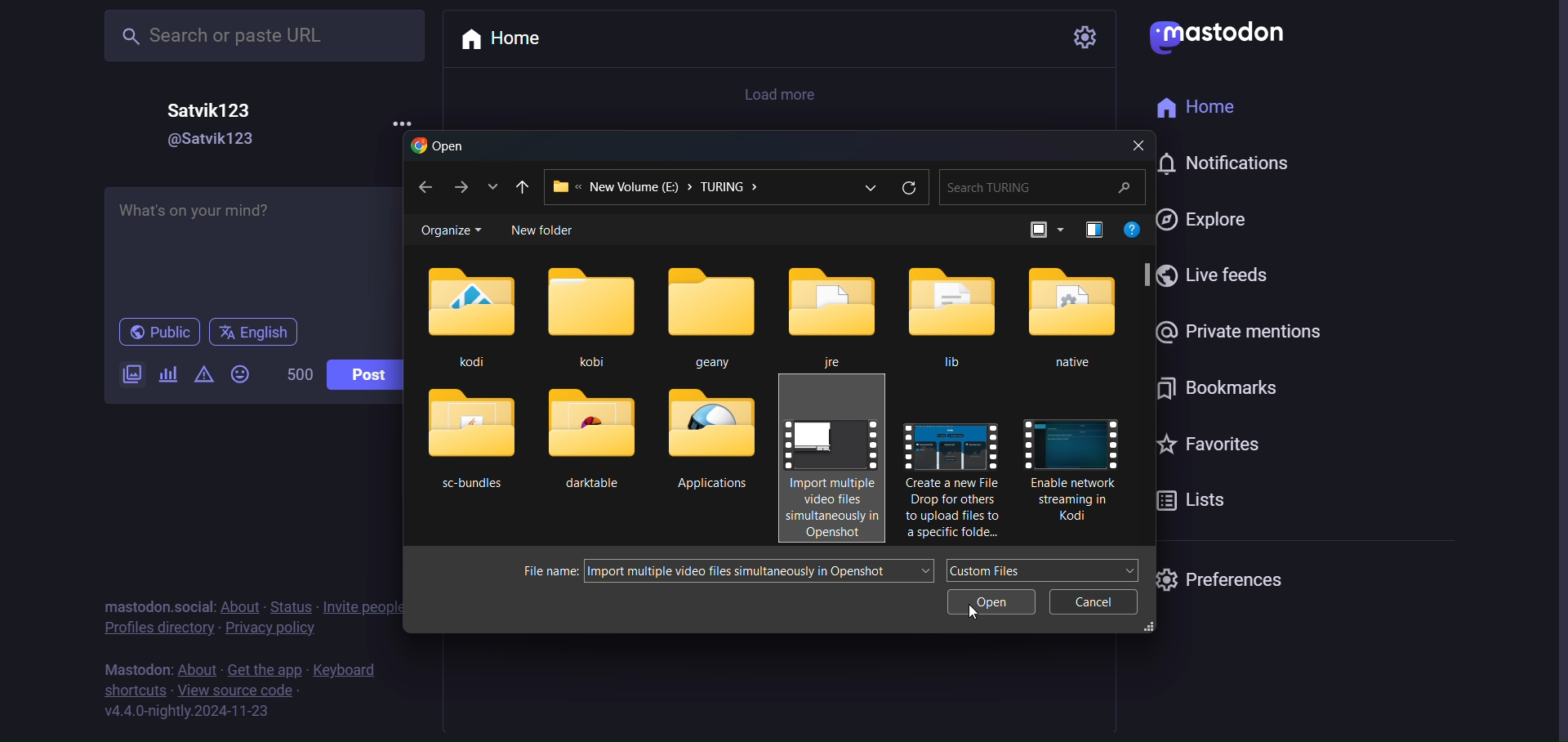 The image size is (1568, 742). I want to click on dropdown, so click(1134, 570).